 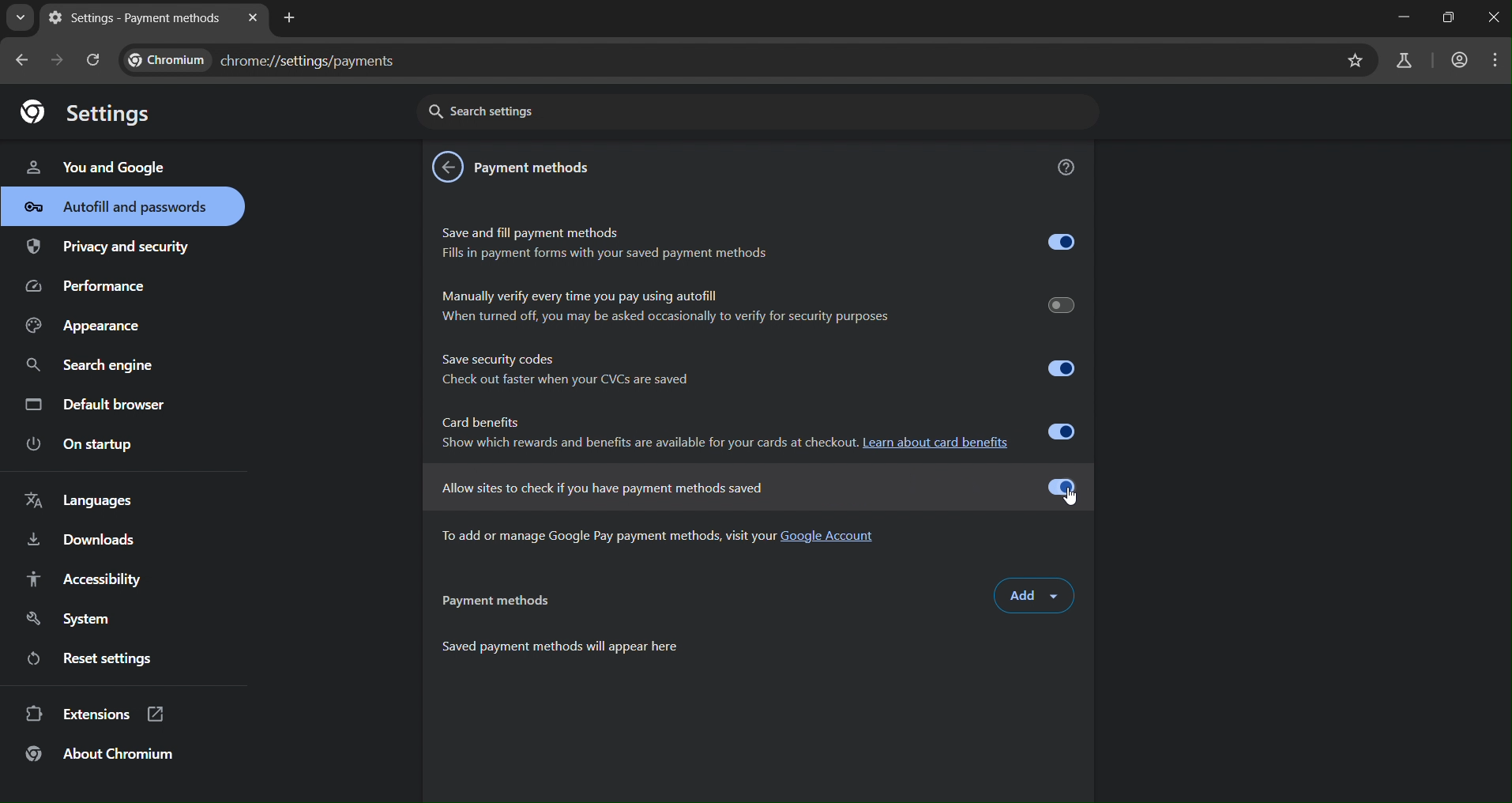 I want to click on back, so click(x=448, y=167).